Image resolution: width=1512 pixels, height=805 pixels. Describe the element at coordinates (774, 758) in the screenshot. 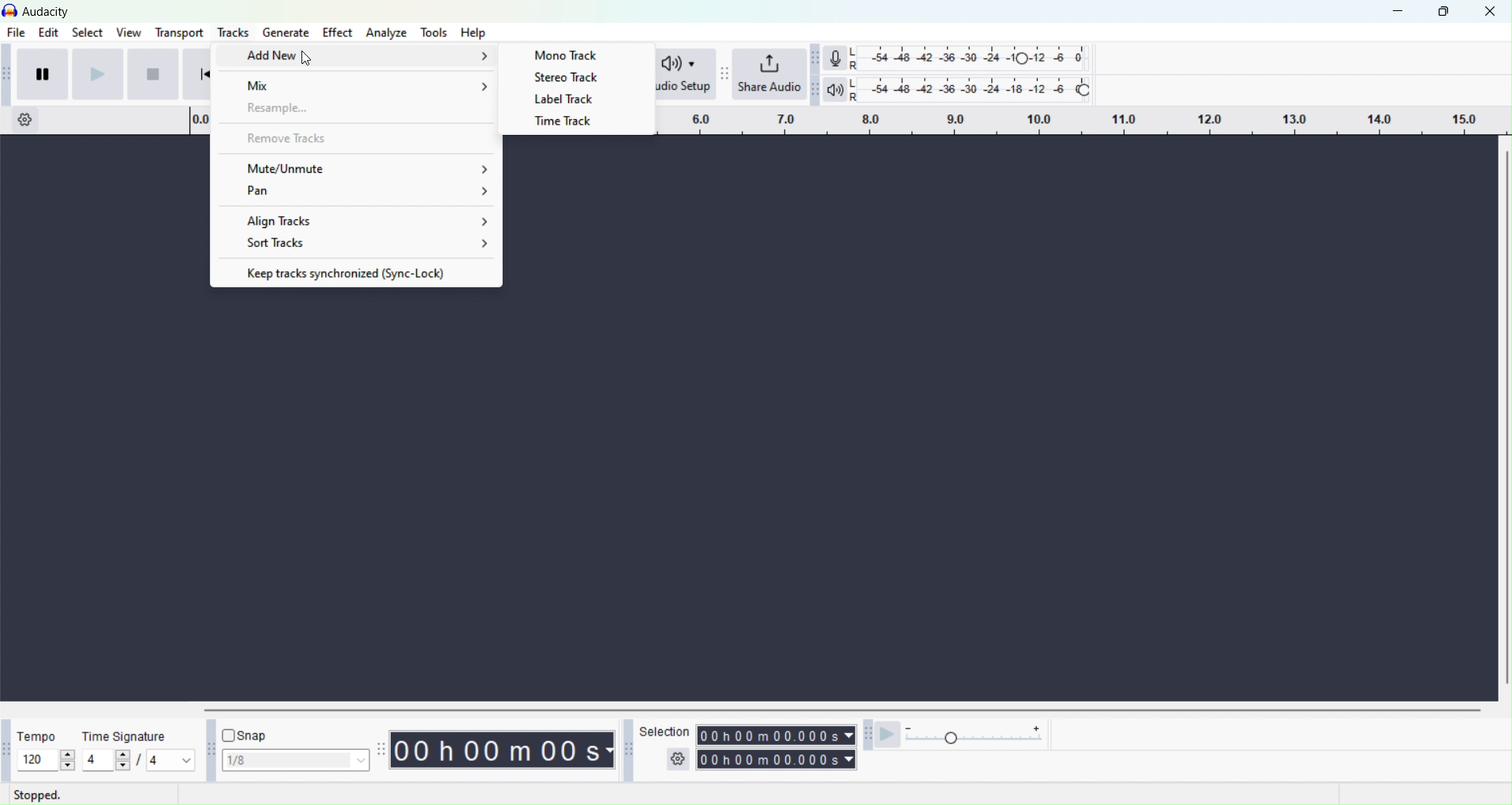

I see `Timing of track` at that location.